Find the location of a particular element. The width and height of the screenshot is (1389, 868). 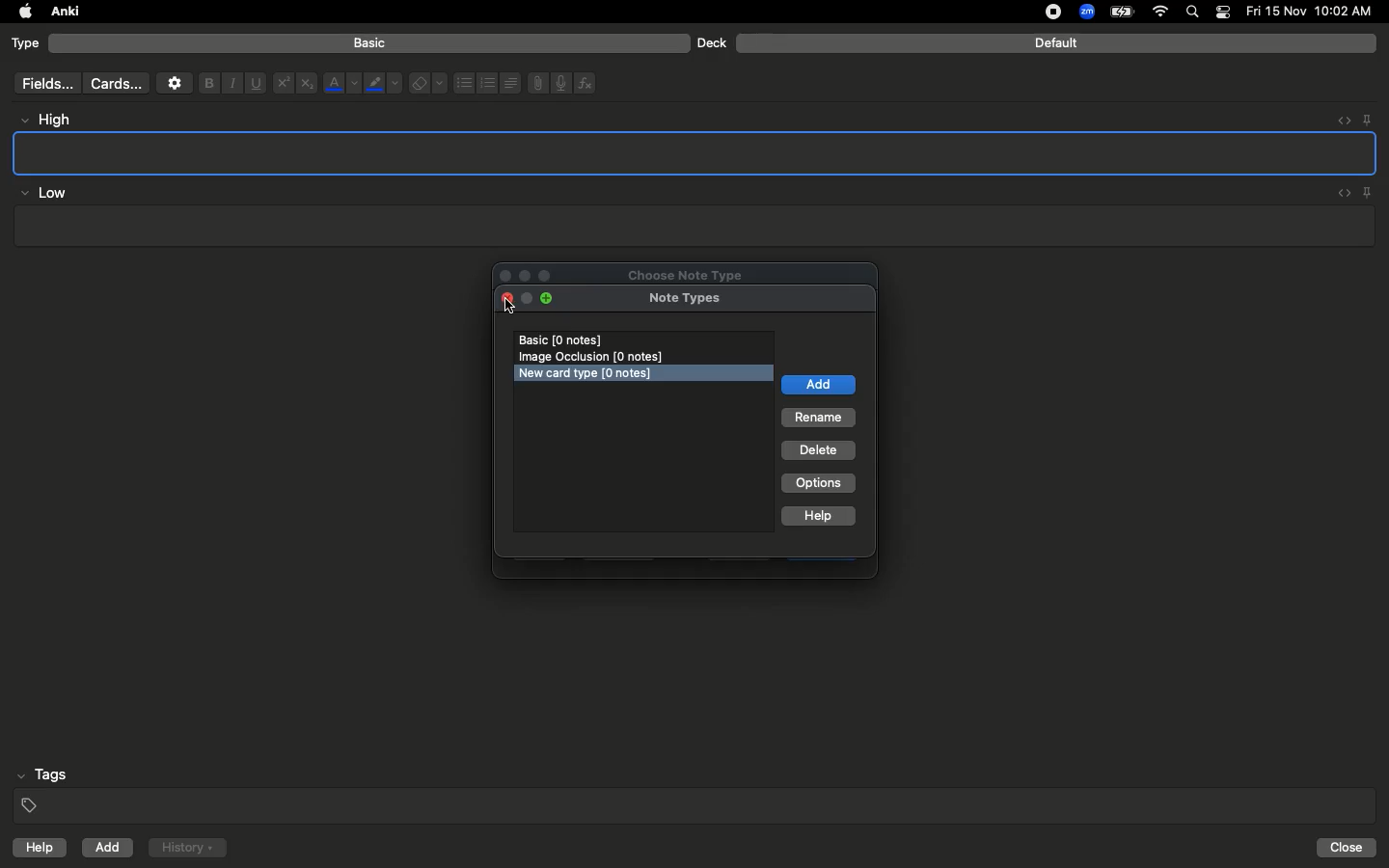

Bullet is located at coordinates (463, 83).